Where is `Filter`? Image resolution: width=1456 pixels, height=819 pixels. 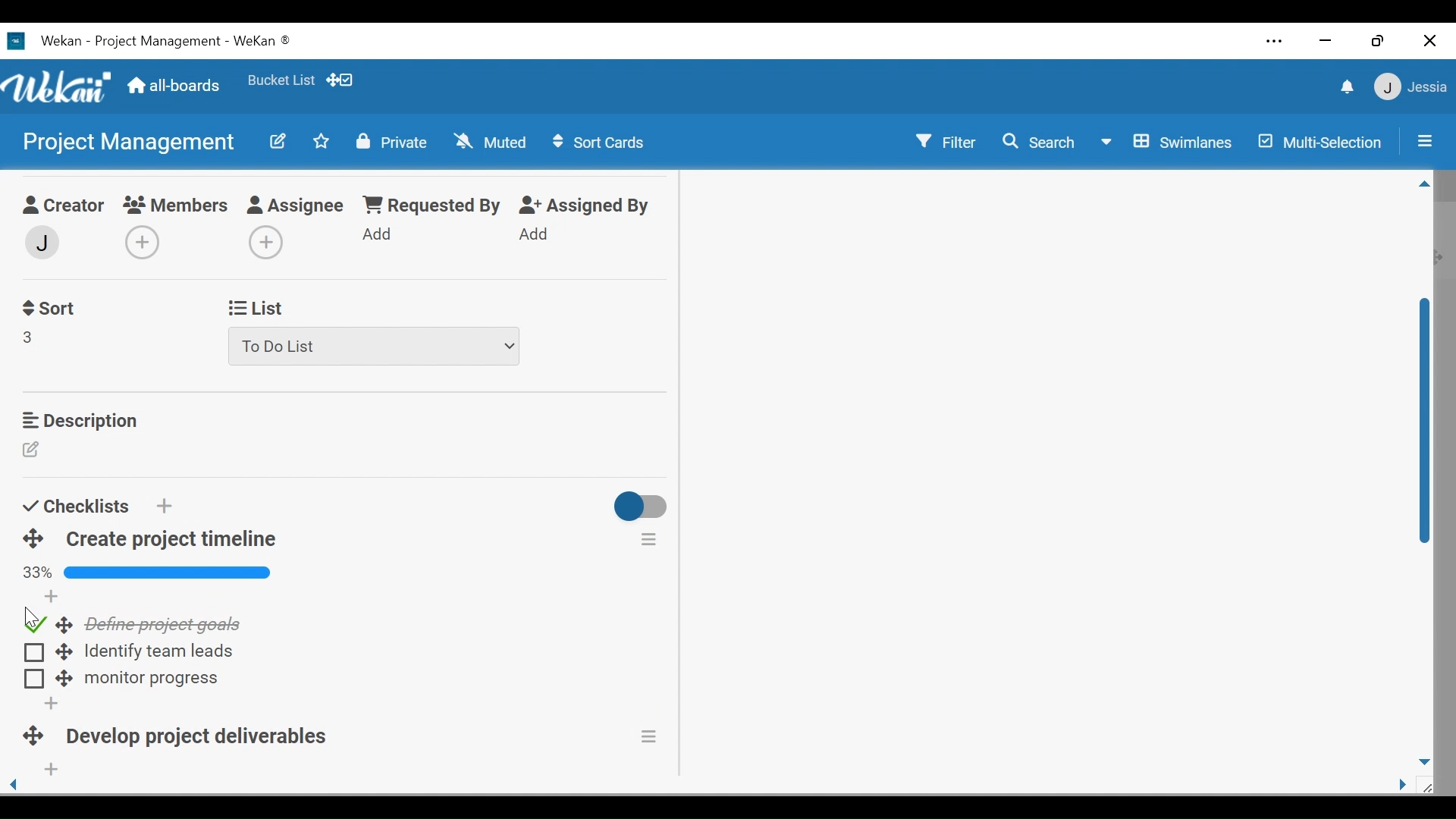
Filter is located at coordinates (946, 140).